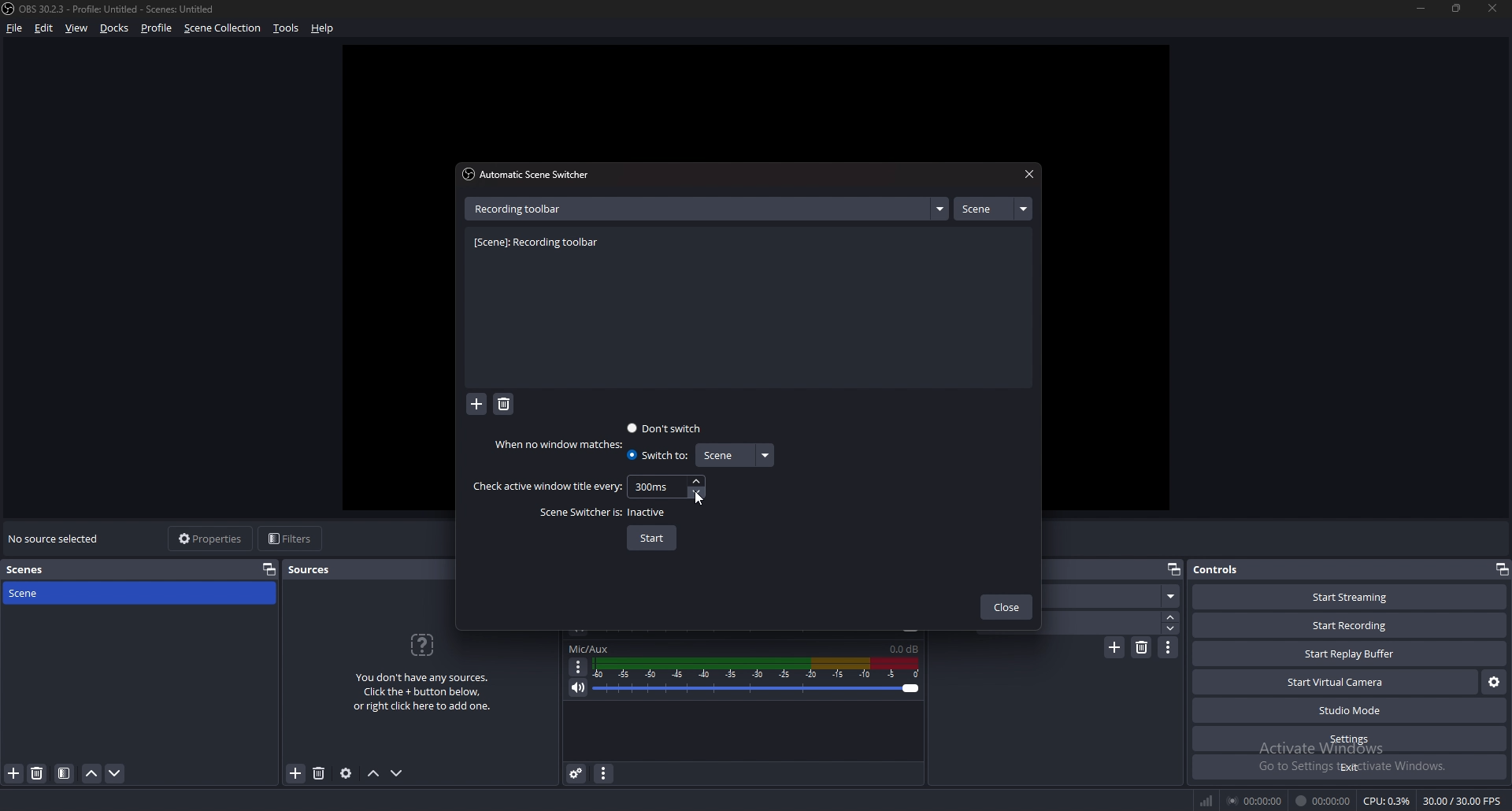 Image resolution: width=1512 pixels, height=811 pixels. What do you see at coordinates (562, 444) in the screenshot?
I see `when no window matches` at bounding box center [562, 444].